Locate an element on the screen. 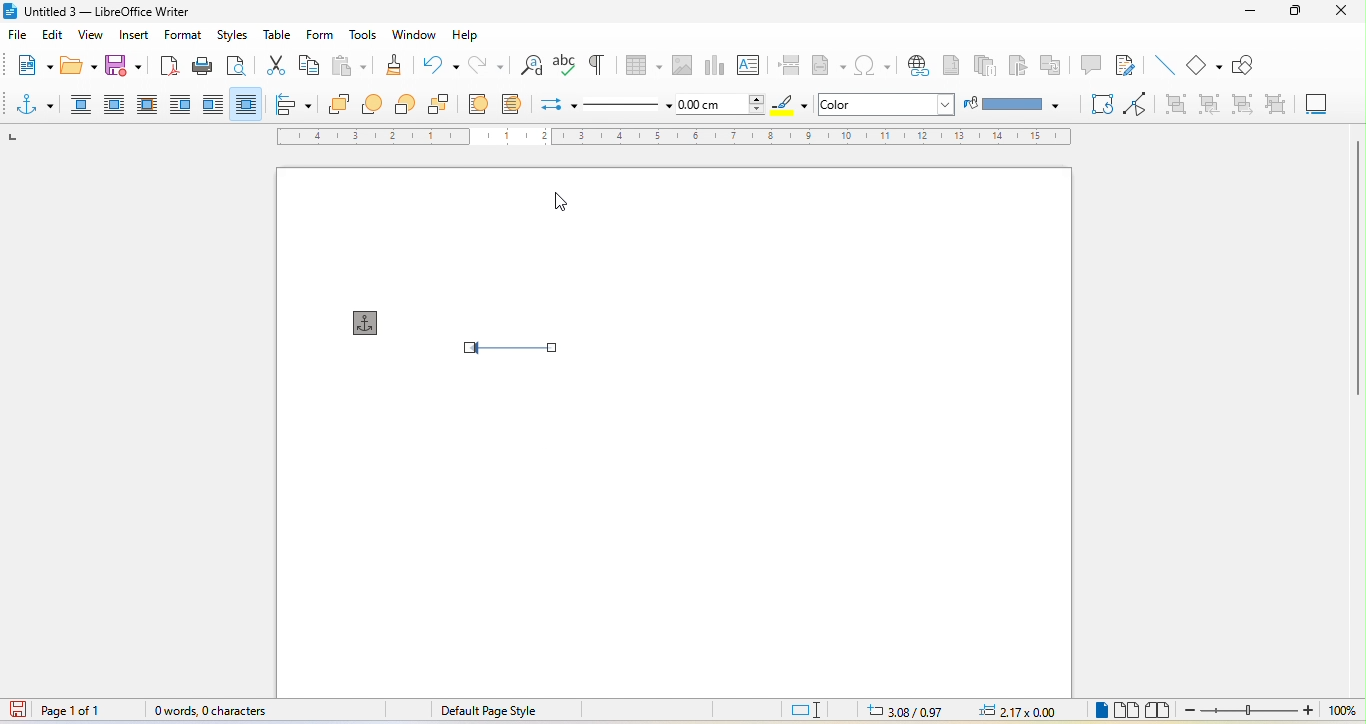 The width and height of the screenshot is (1366, 724). bring to font is located at coordinates (342, 104).